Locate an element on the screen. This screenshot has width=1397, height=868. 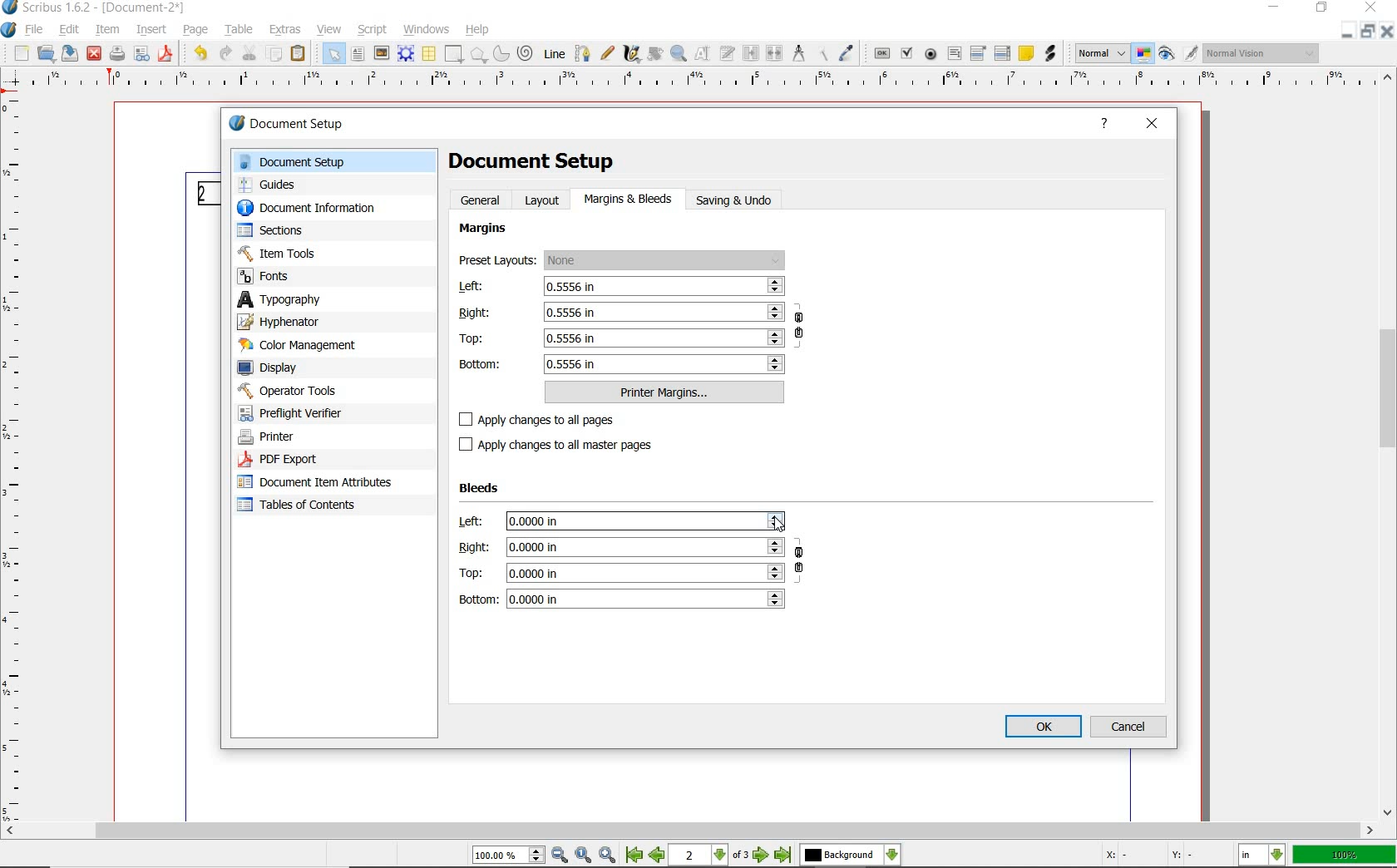
preset layouts is located at coordinates (623, 261).